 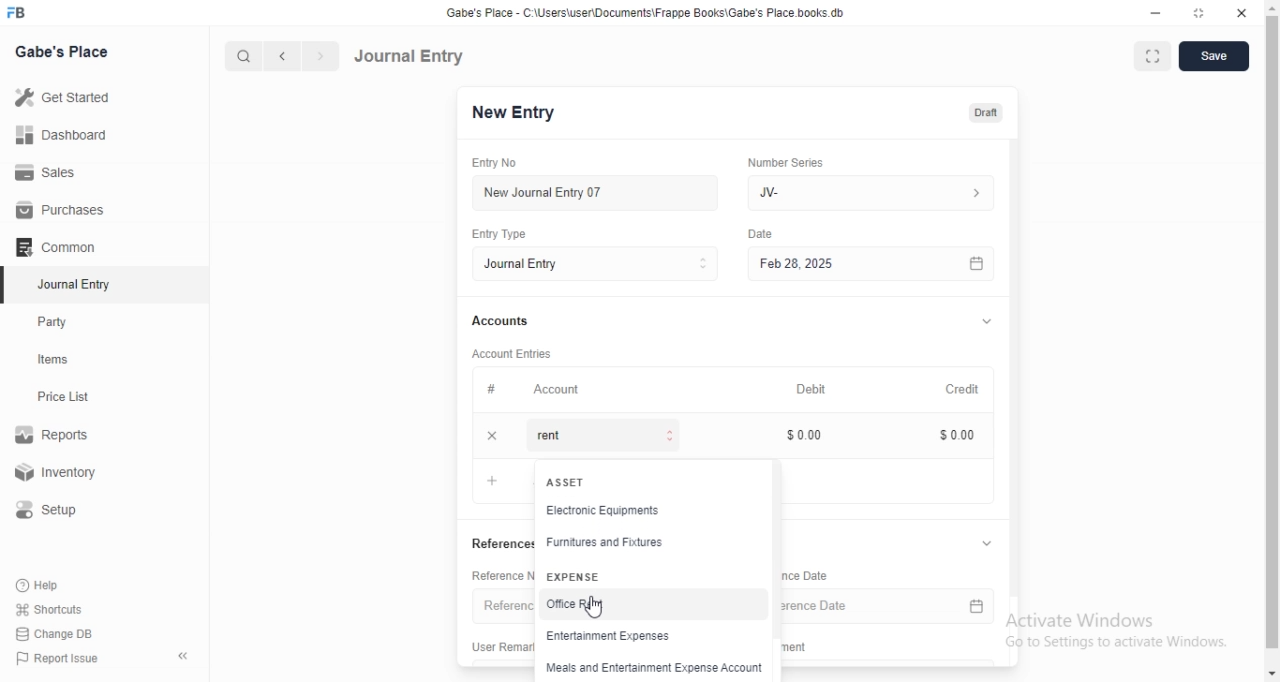 What do you see at coordinates (61, 360) in the screenshot?
I see `tems` at bounding box center [61, 360].